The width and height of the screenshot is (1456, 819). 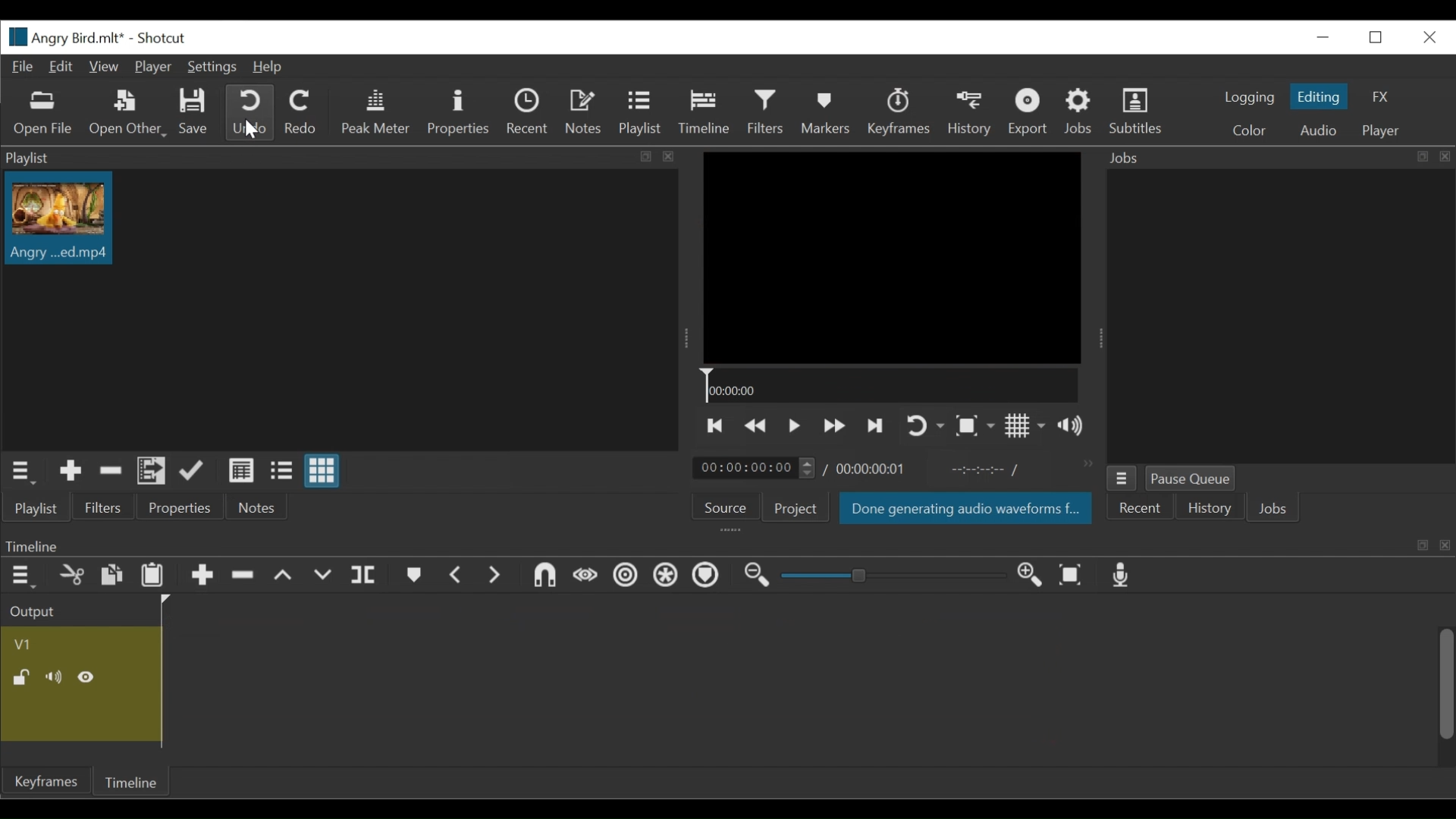 I want to click on Append, so click(x=202, y=575).